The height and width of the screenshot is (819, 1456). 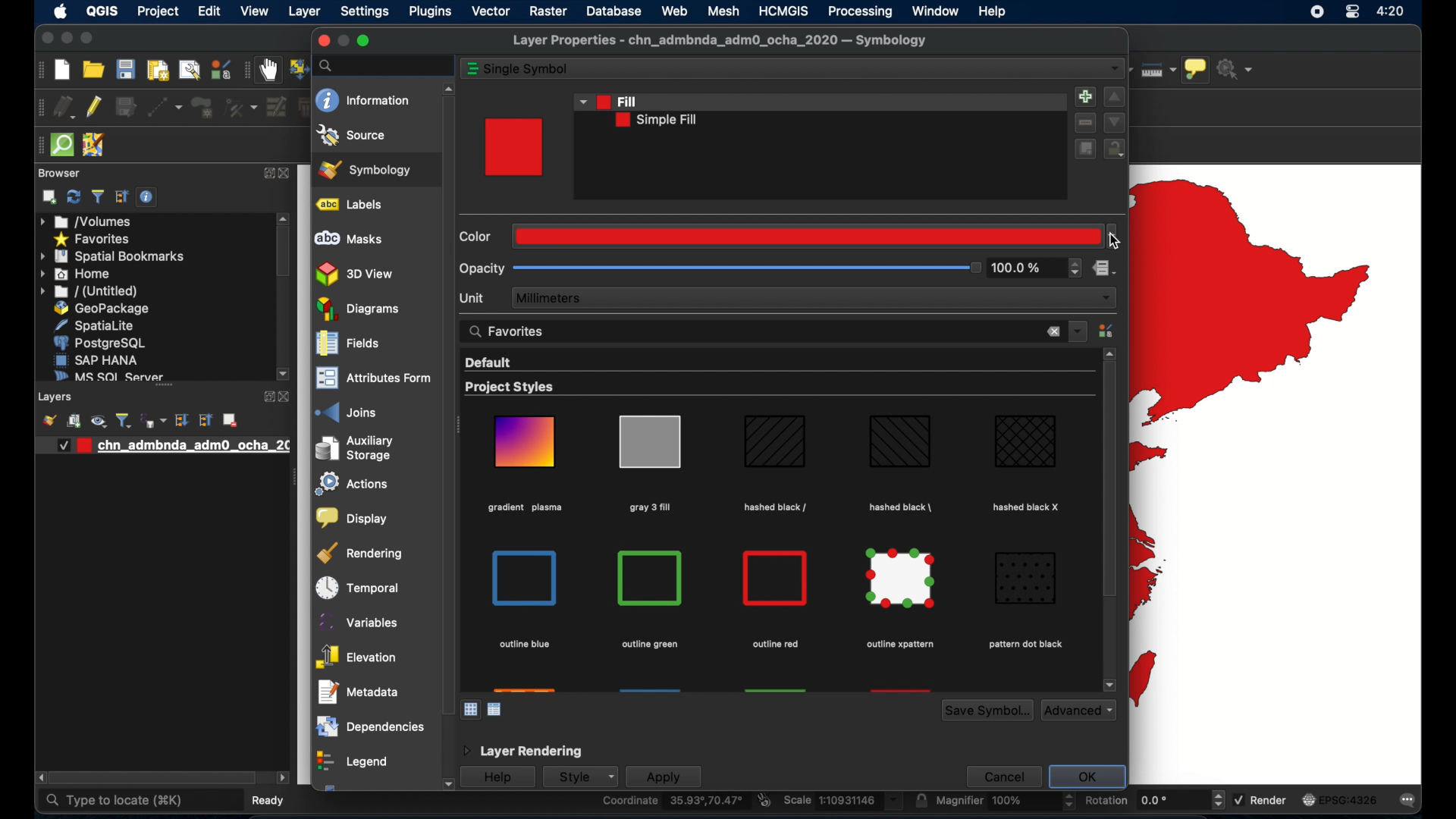 I want to click on Layer Properties - chn_admbnda_admO_ocha_2020 — Symbology, so click(x=722, y=41).